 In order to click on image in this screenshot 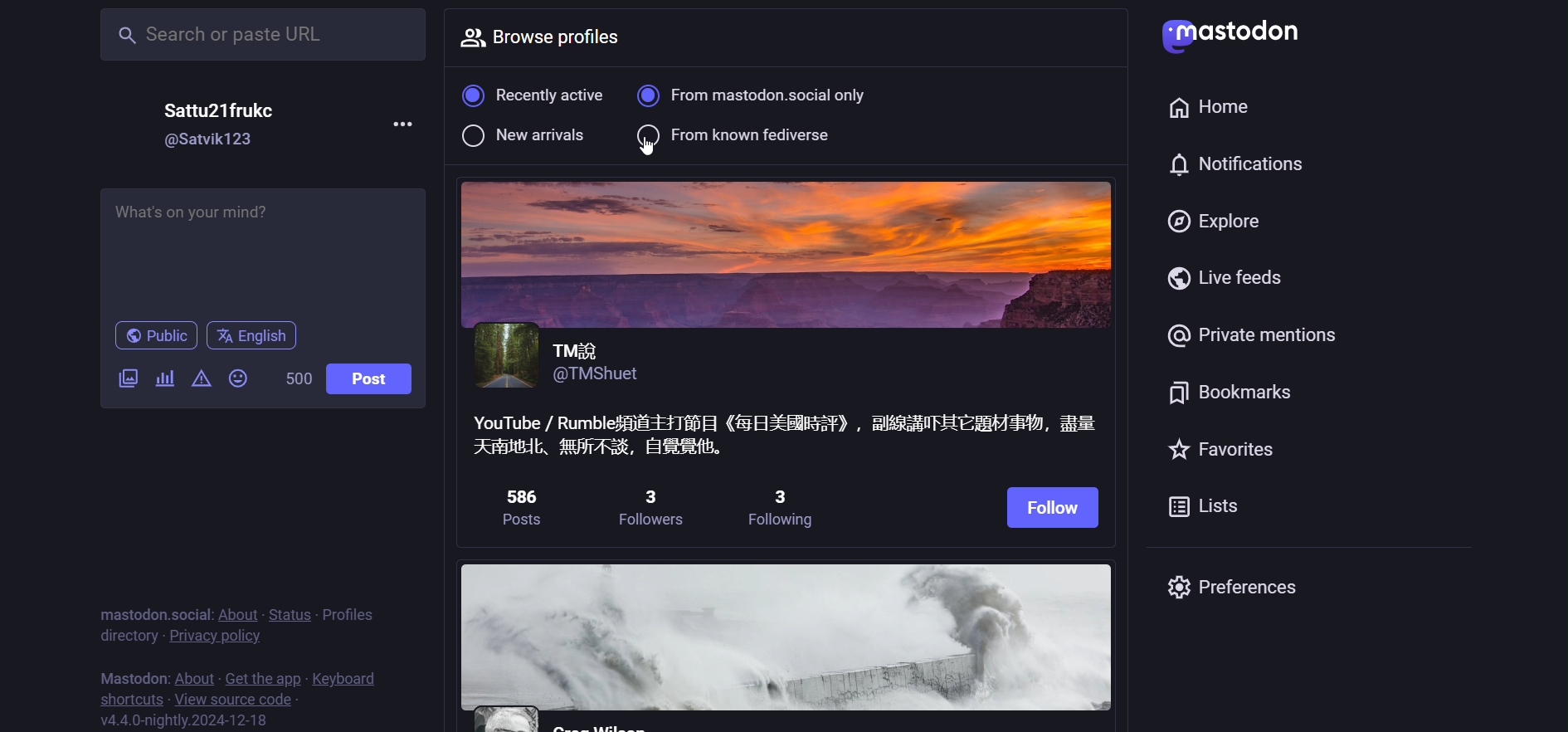, I will do `click(793, 248)`.